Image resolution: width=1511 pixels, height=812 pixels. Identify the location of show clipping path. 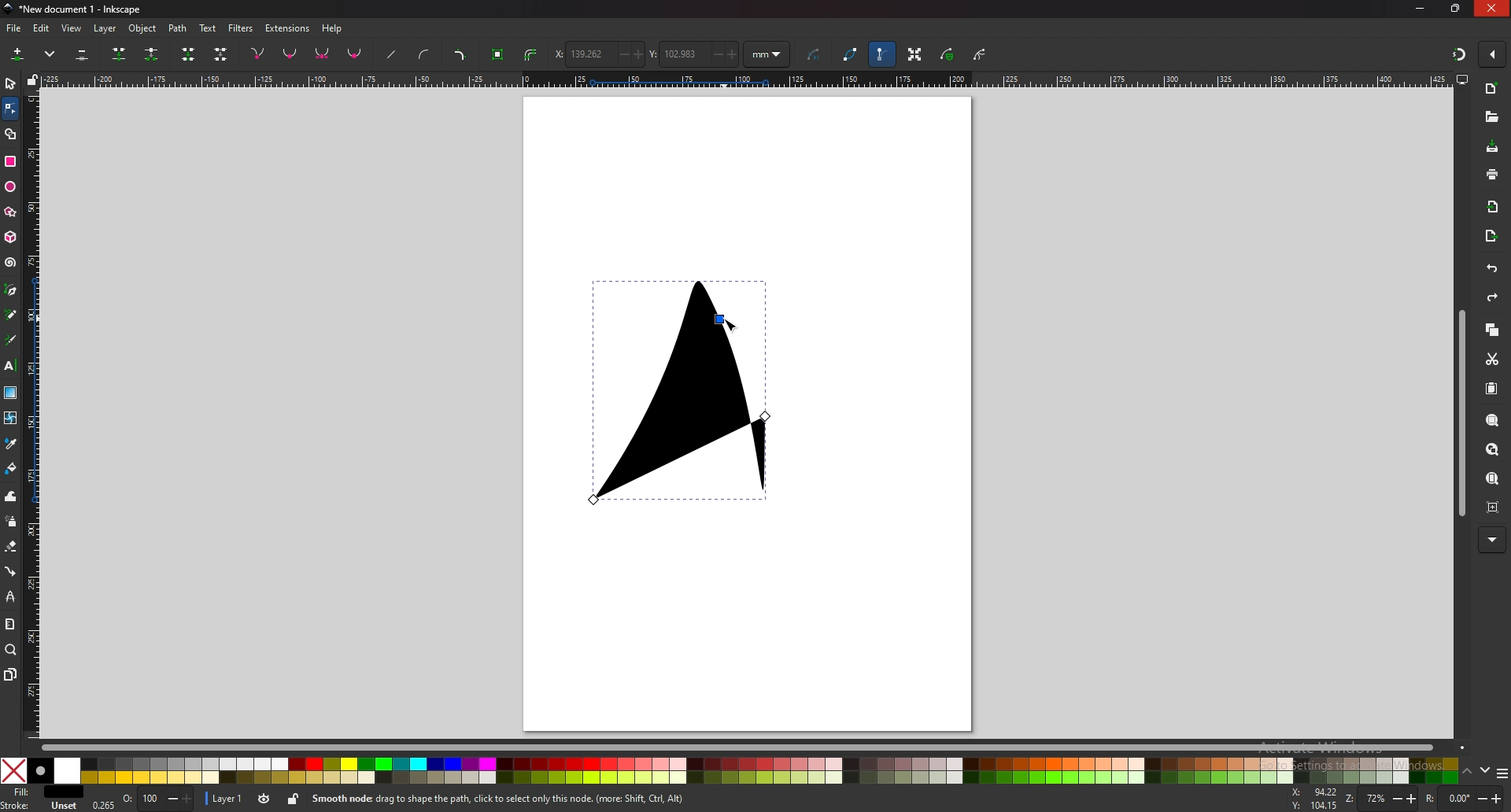
(980, 54).